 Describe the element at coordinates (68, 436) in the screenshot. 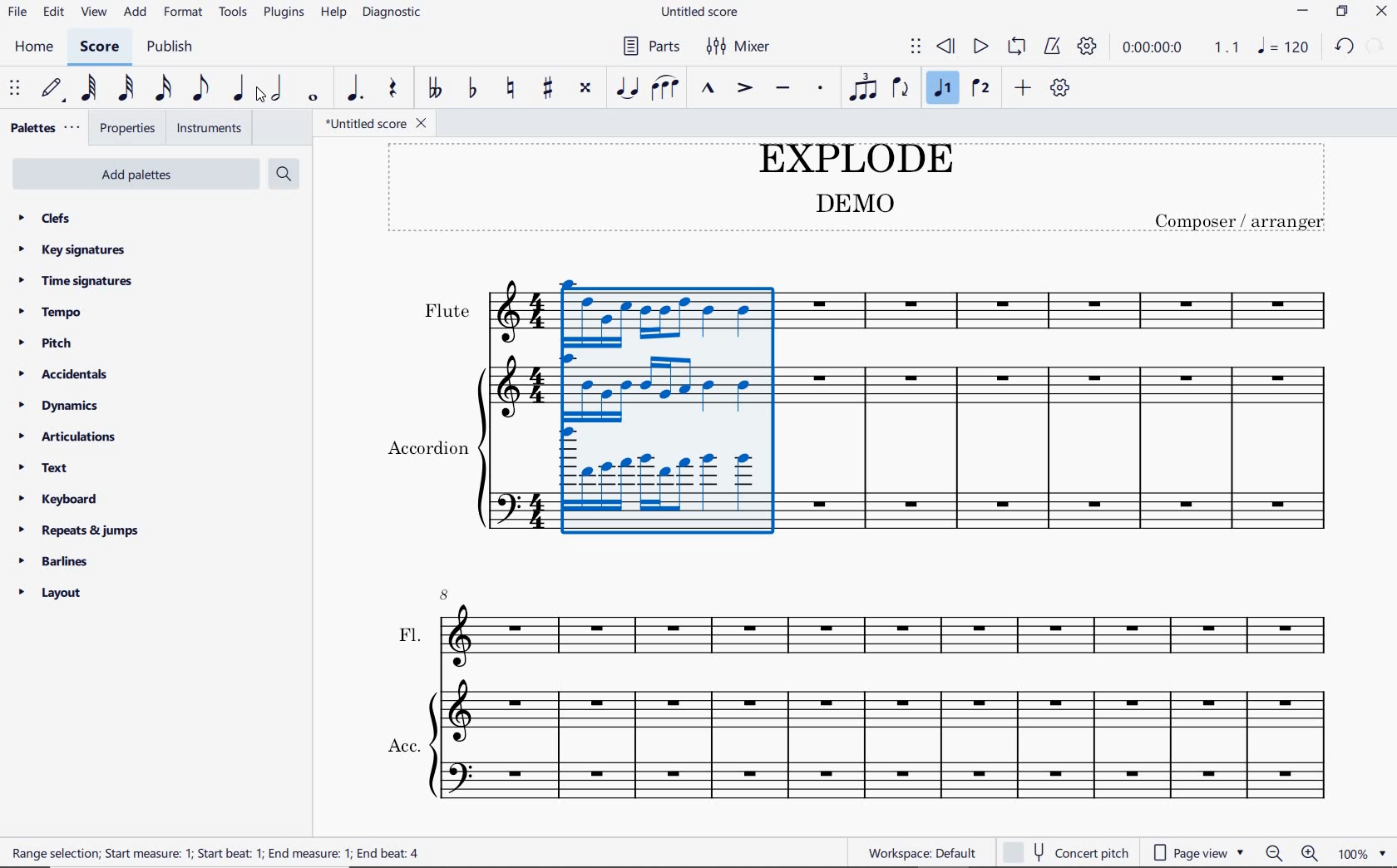

I see `articulations` at that location.